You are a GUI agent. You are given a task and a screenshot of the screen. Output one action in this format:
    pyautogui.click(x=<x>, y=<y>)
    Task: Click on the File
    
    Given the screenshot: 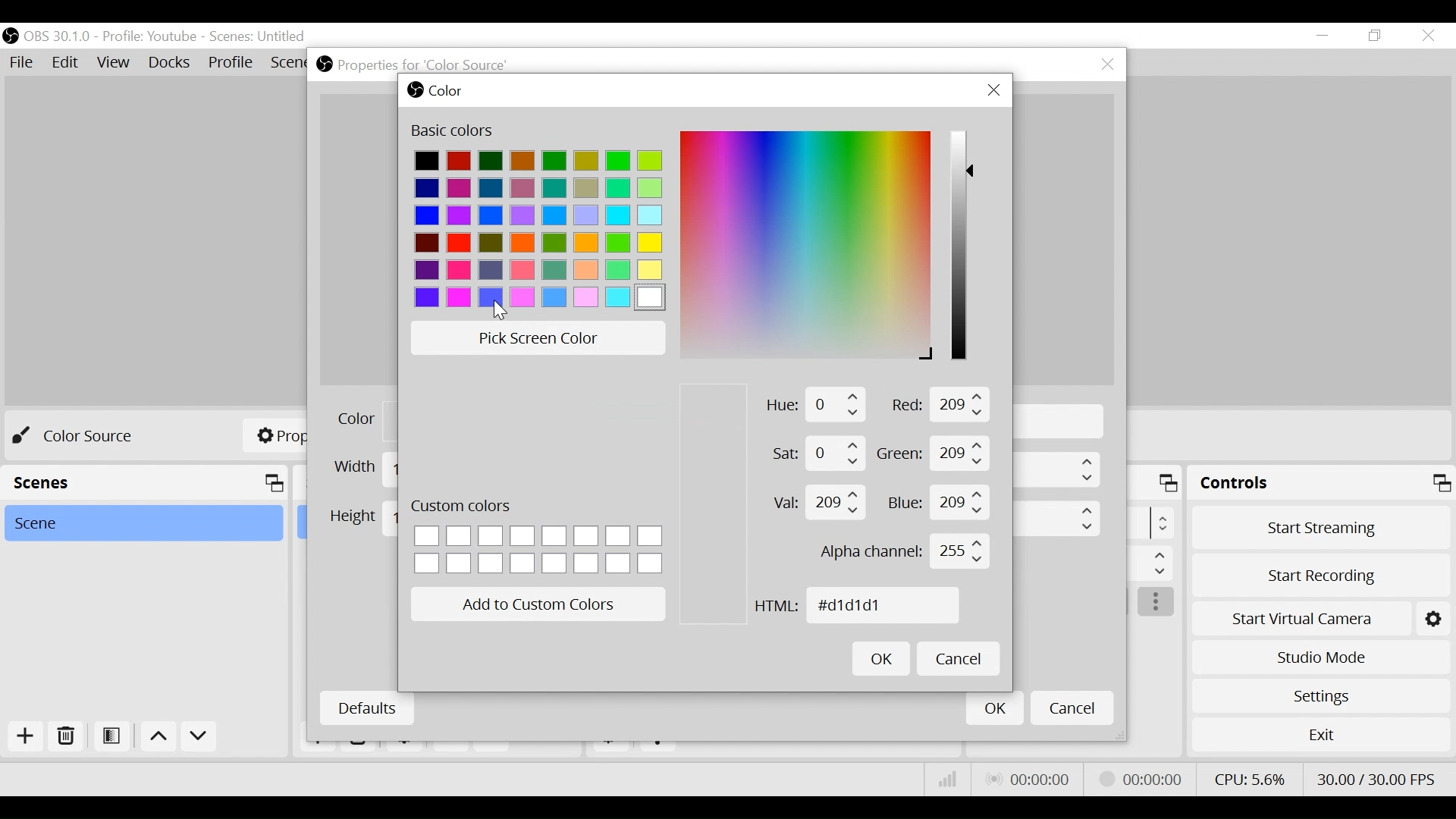 What is the action you would take?
    pyautogui.click(x=20, y=61)
    